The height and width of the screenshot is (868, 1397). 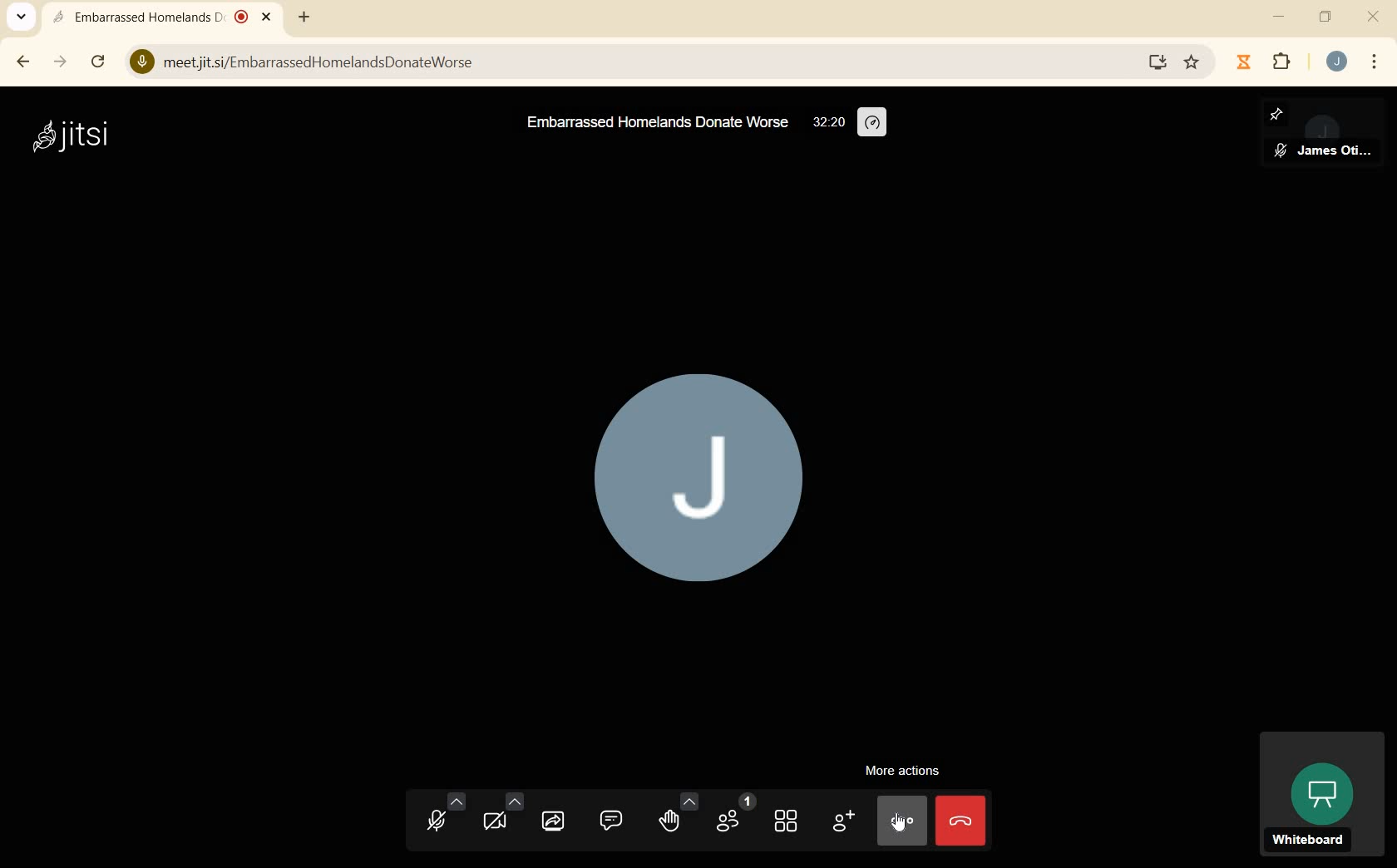 What do you see at coordinates (59, 62) in the screenshot?
I see `forward` at bounding box center [59, 62].